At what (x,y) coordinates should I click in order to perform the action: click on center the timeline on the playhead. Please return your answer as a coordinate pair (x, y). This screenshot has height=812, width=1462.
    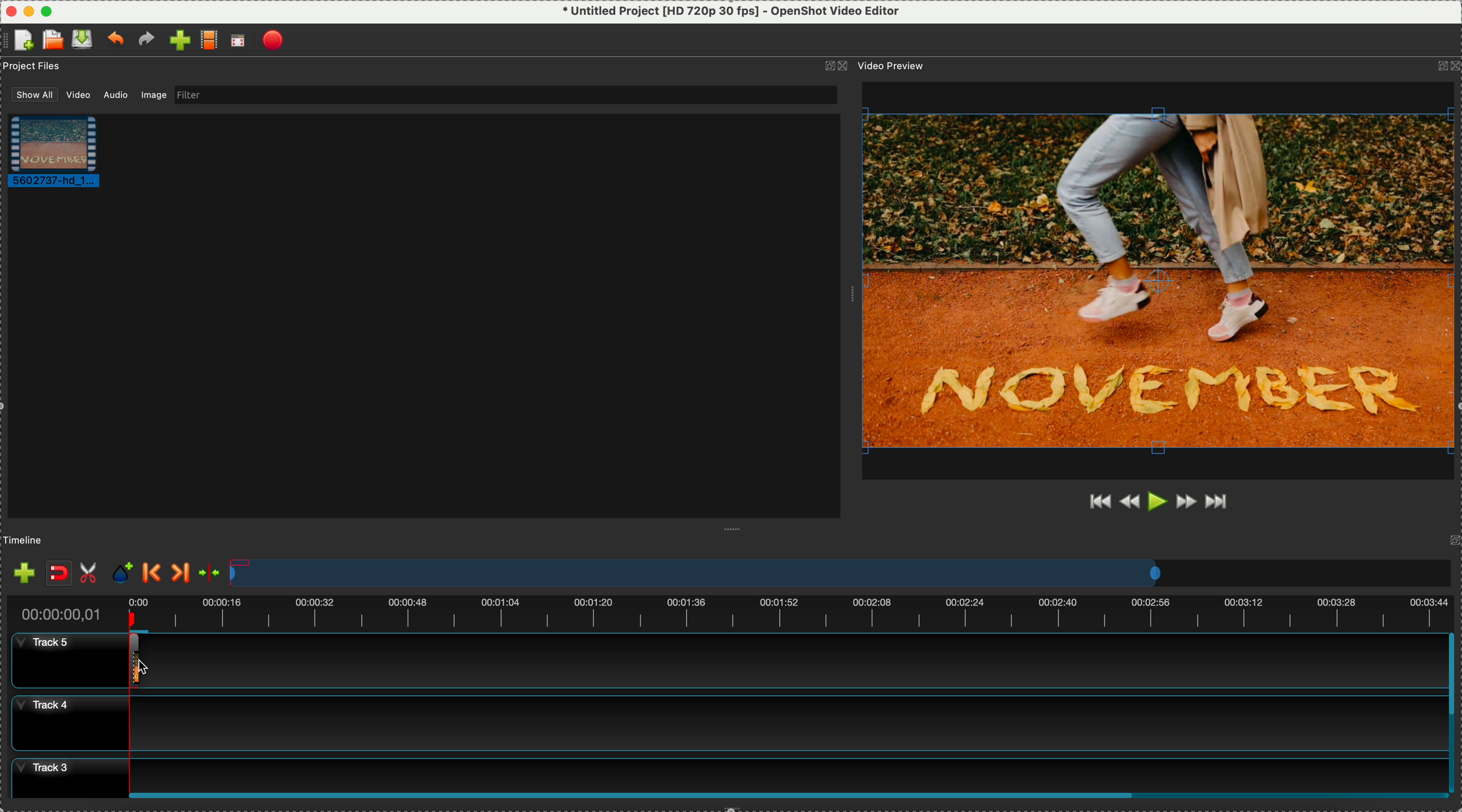
    Looking at the image, I should click on (211, 573).